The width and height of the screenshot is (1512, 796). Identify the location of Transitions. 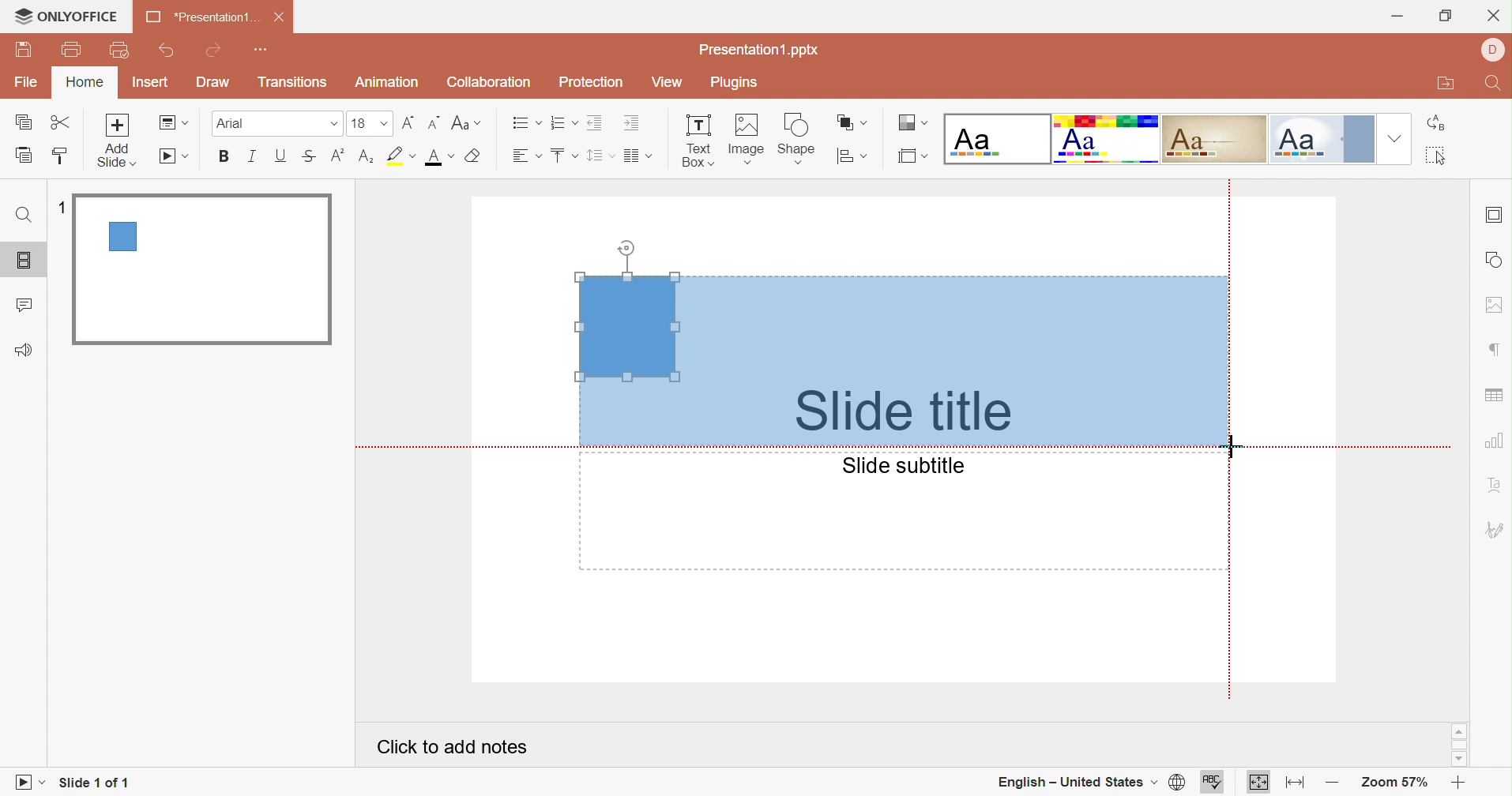
(294, 82).